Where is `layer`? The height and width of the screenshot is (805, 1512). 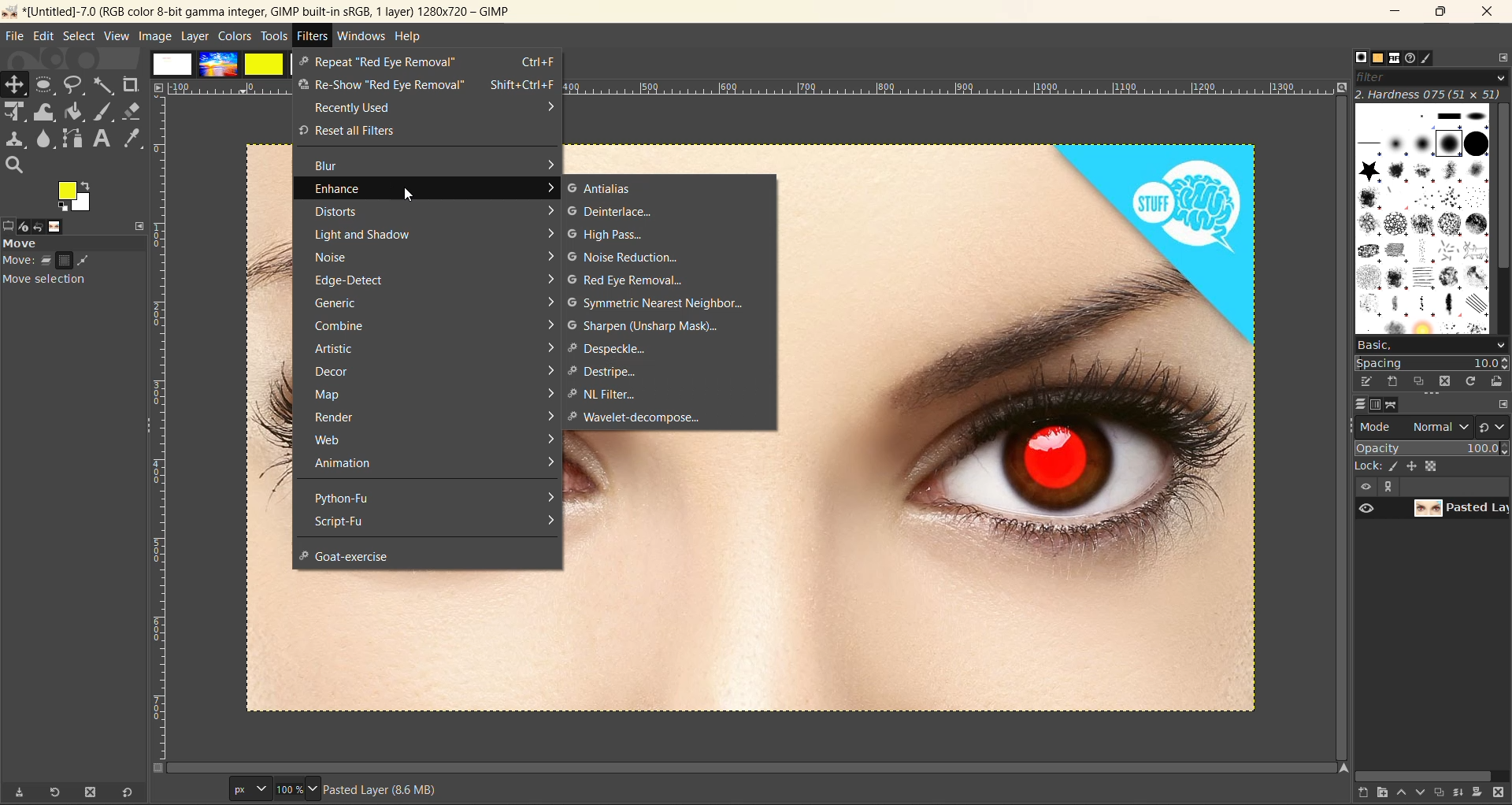
layer is located at coordinates (194, 37).